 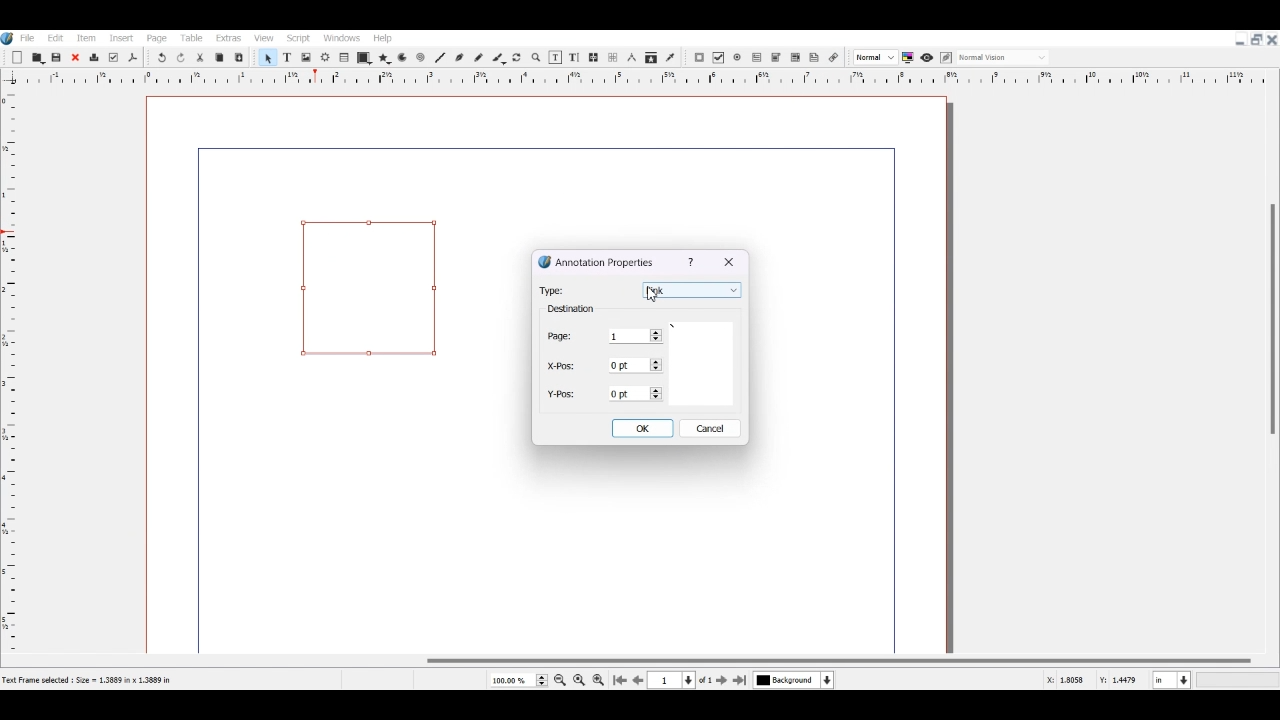 What do you see at coordinates (440, 57) in the screenshot?
I see `Line` at bounding box center [440, 57].